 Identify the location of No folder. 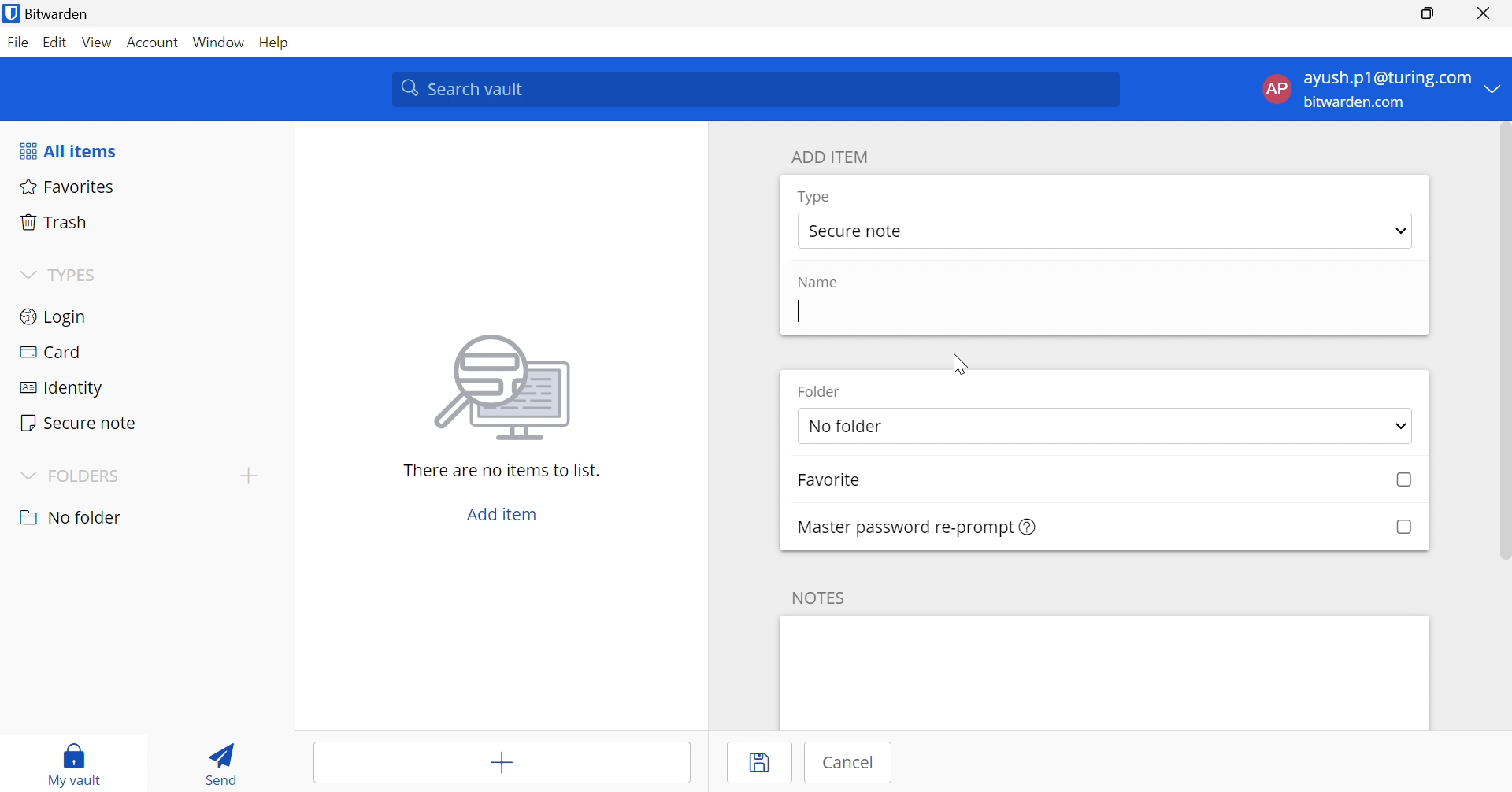
(1105, 426).